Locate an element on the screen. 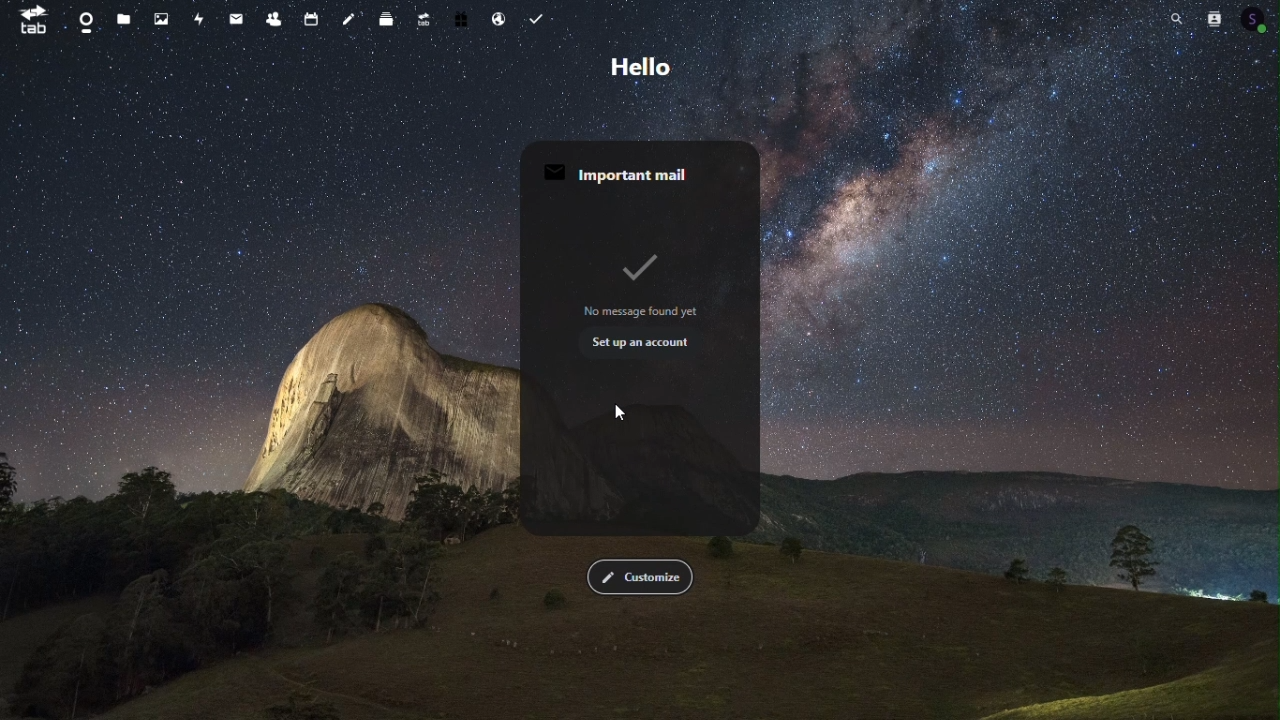 The width and height of the screenshot is (1280, 720). deck is located at coordinates (386, 17).